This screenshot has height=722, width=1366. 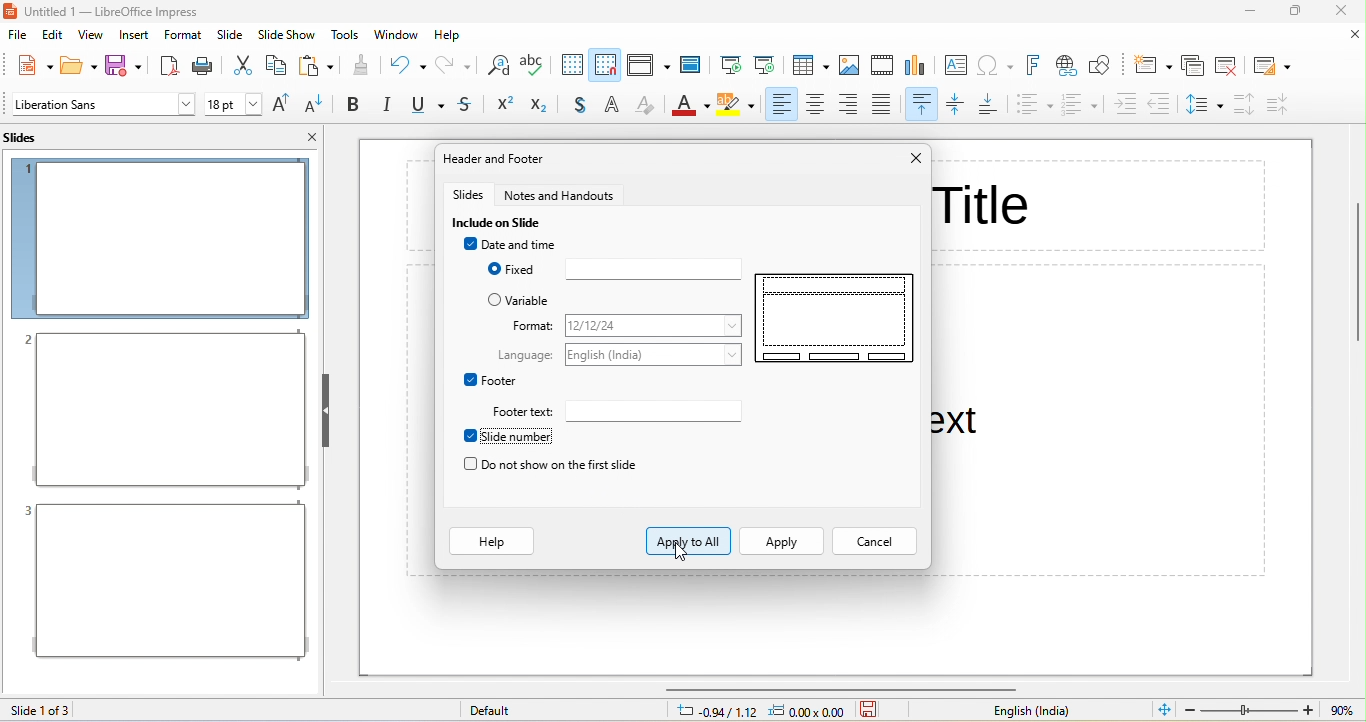 I want to click on underline, so click(x=425, y=106).